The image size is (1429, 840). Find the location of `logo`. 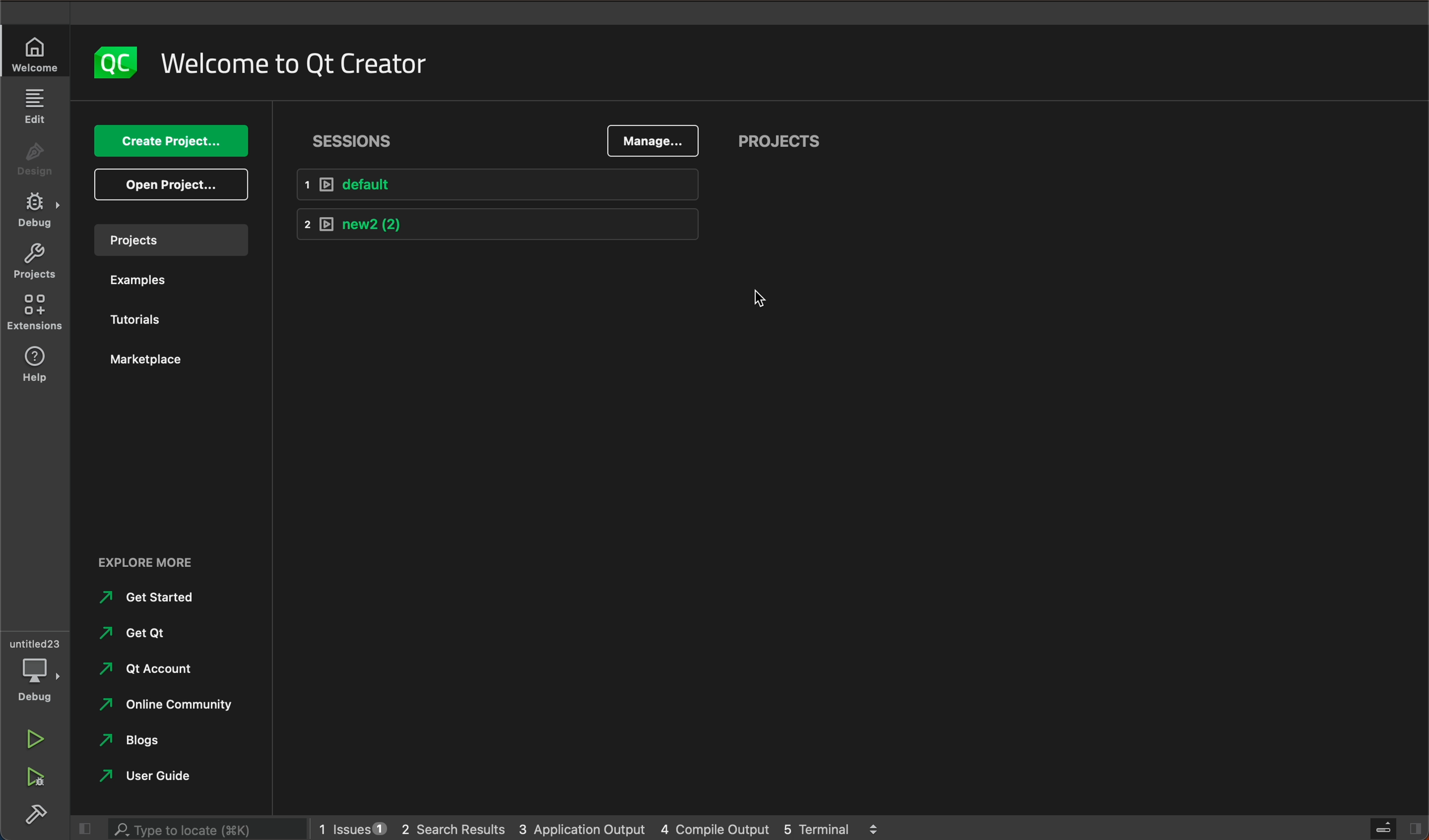

logo is located at coordinates (115, 63).